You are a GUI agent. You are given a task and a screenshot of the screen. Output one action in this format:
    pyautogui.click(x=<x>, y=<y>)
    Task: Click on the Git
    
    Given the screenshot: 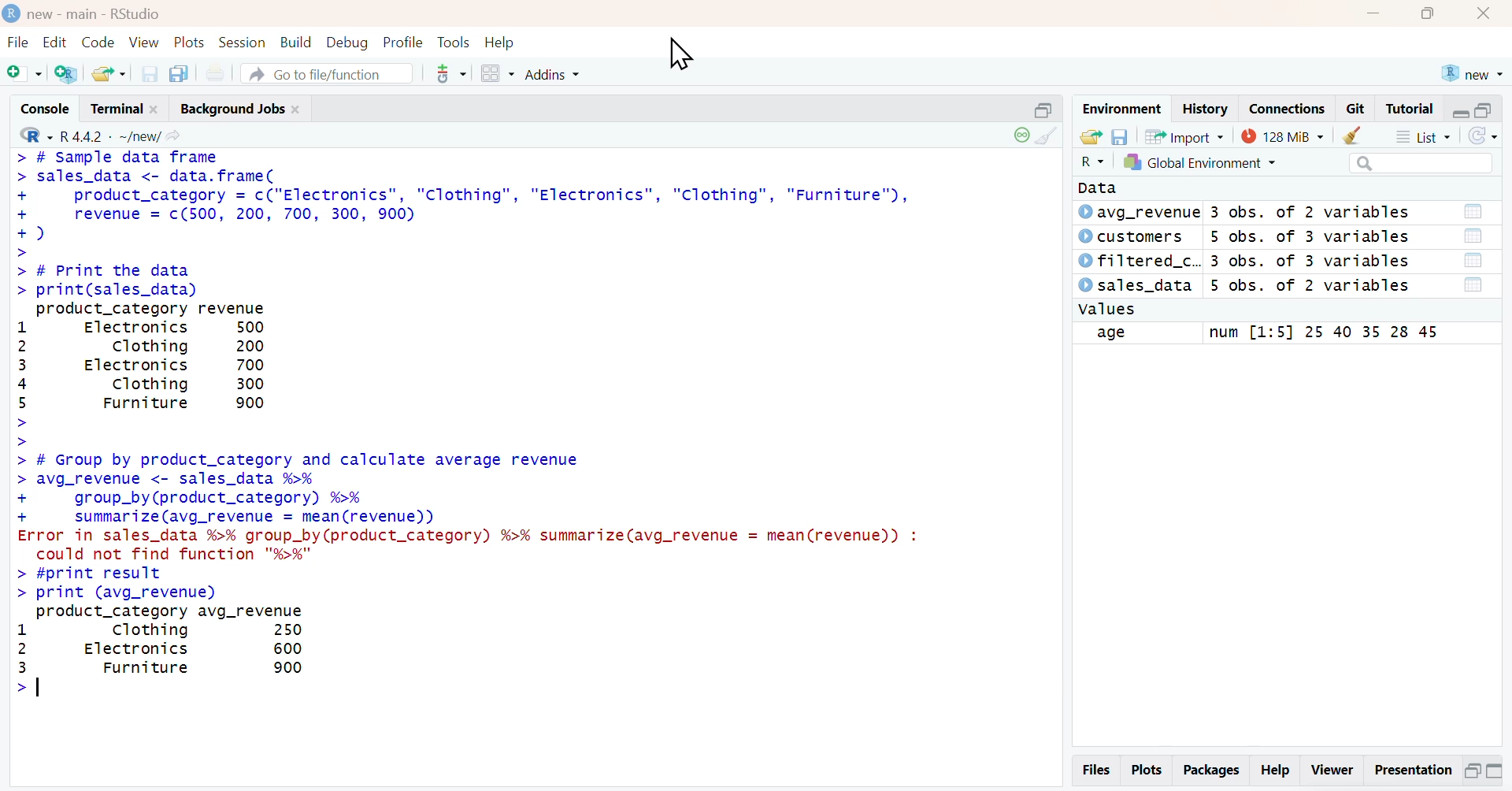 What is the action you would take?
    pyautogui.click(x=1356, y=109)
    